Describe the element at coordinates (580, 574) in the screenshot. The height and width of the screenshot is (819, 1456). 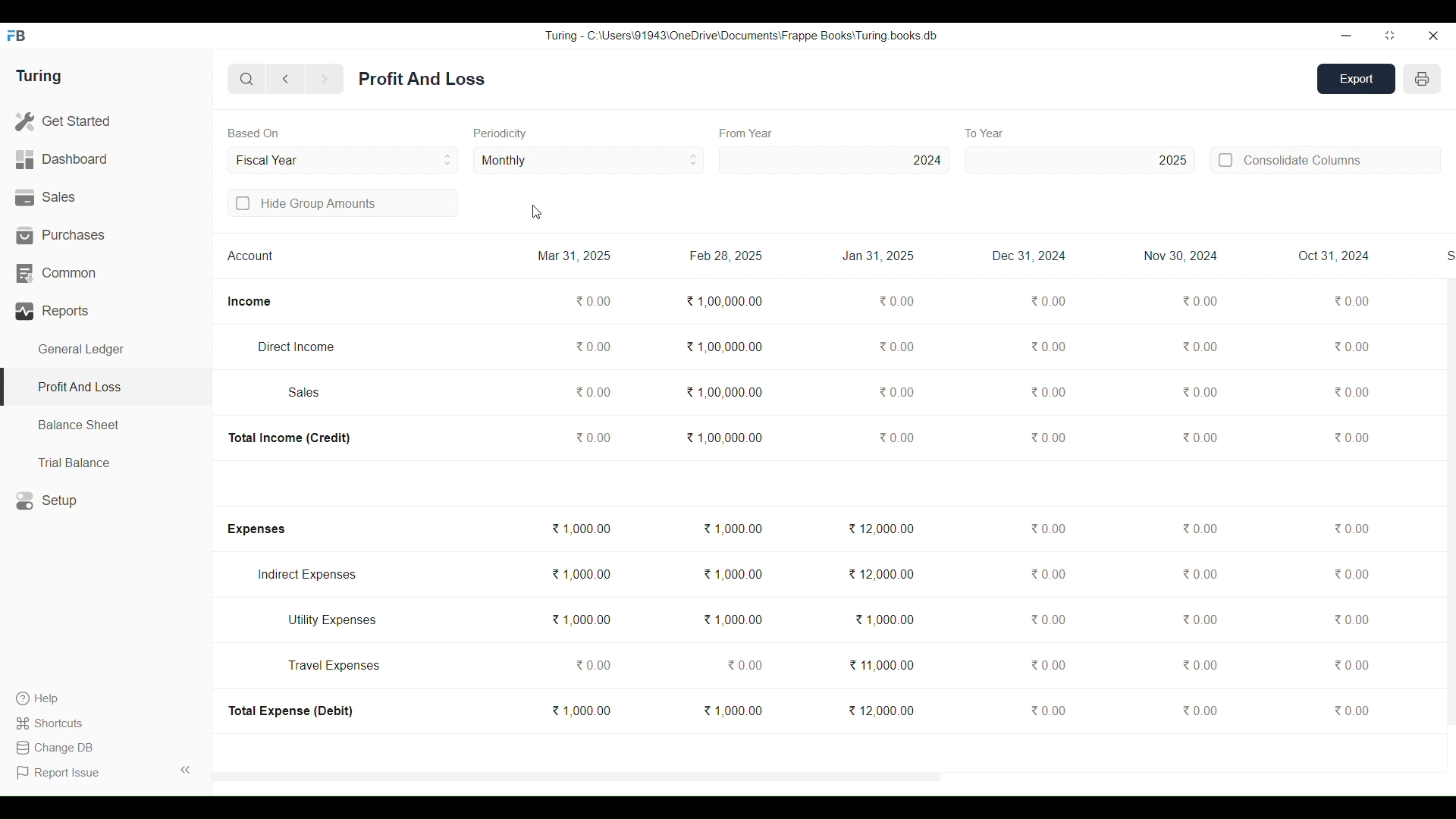
I see `1,000.00` at that location.